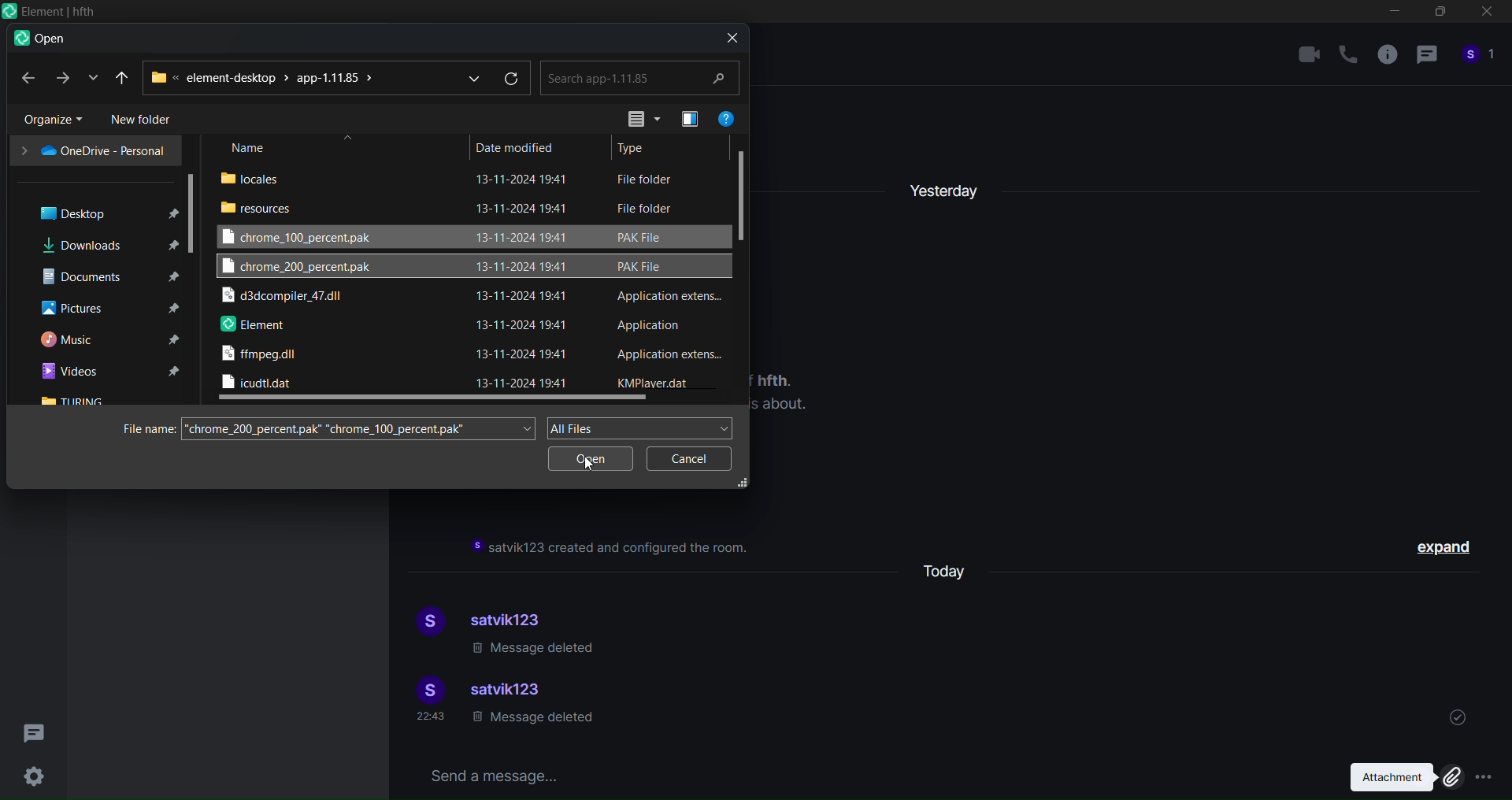 The image size is (1512, 800). Describe the element at coordinates (591, 461) in the screenshot. I see `open` at that location.